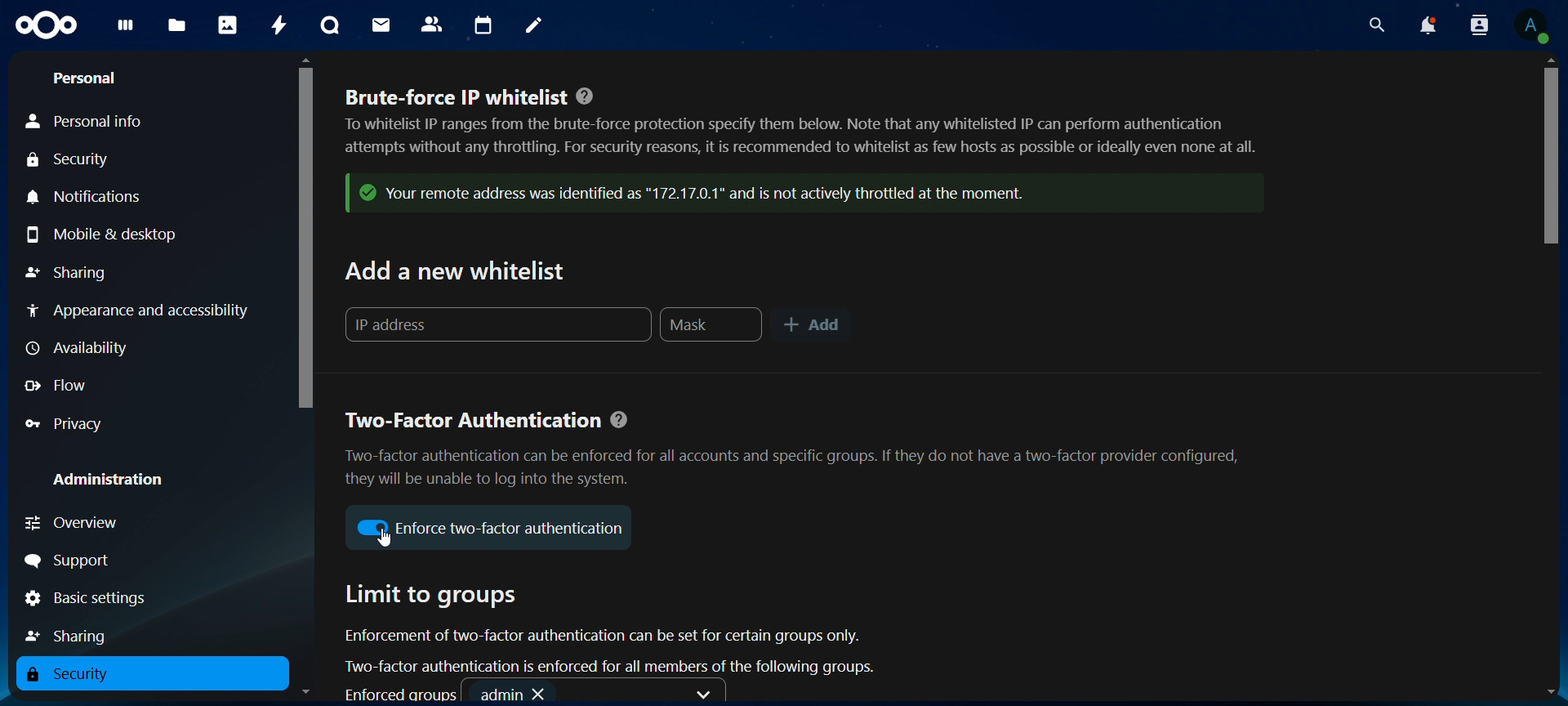  What do you see at coordinates (65, 425) in the screenshot?
I see `privacy` at bounding box center [65, 425].